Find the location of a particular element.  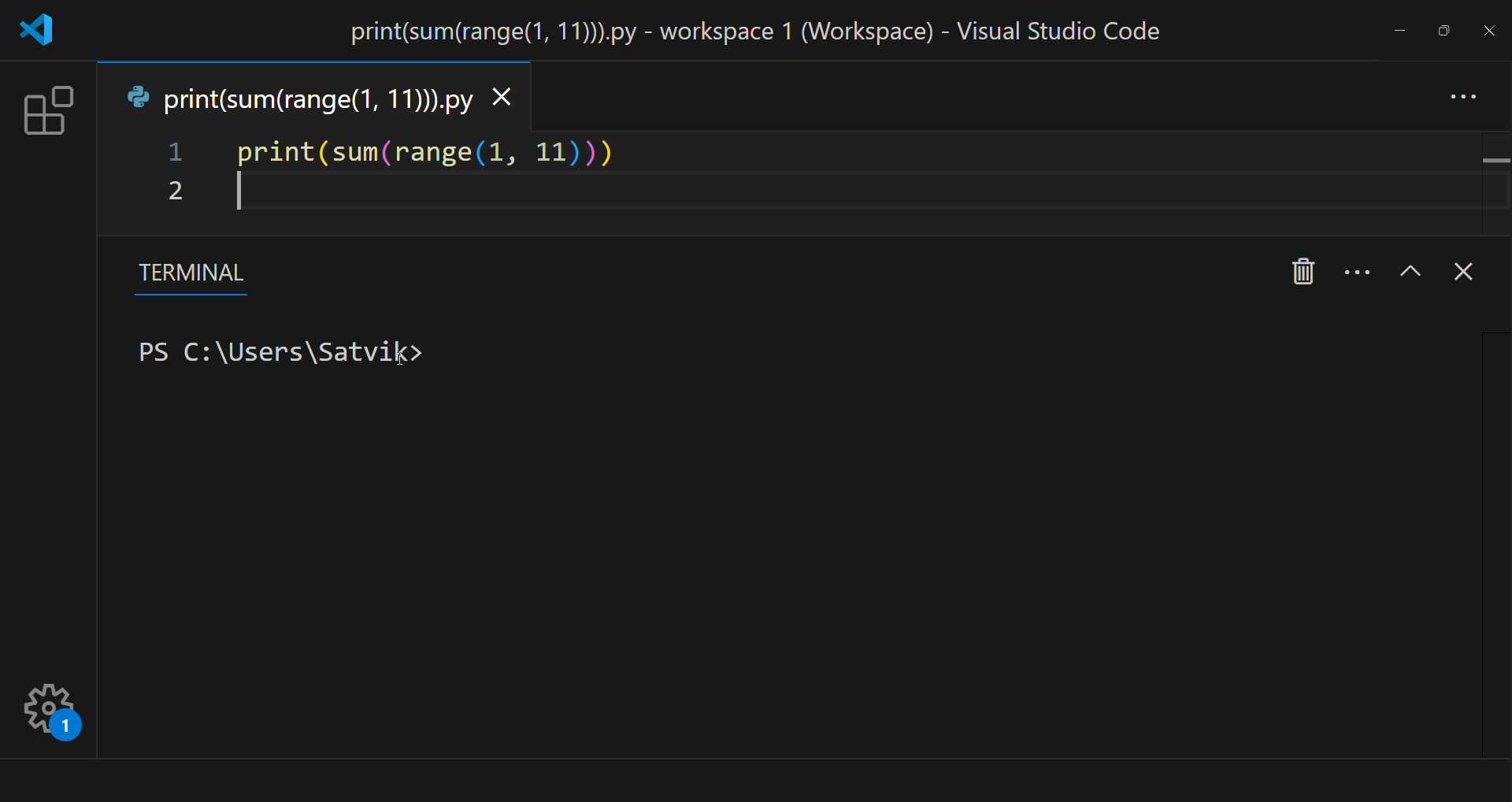

kill is located at coordinates (1302, 268).